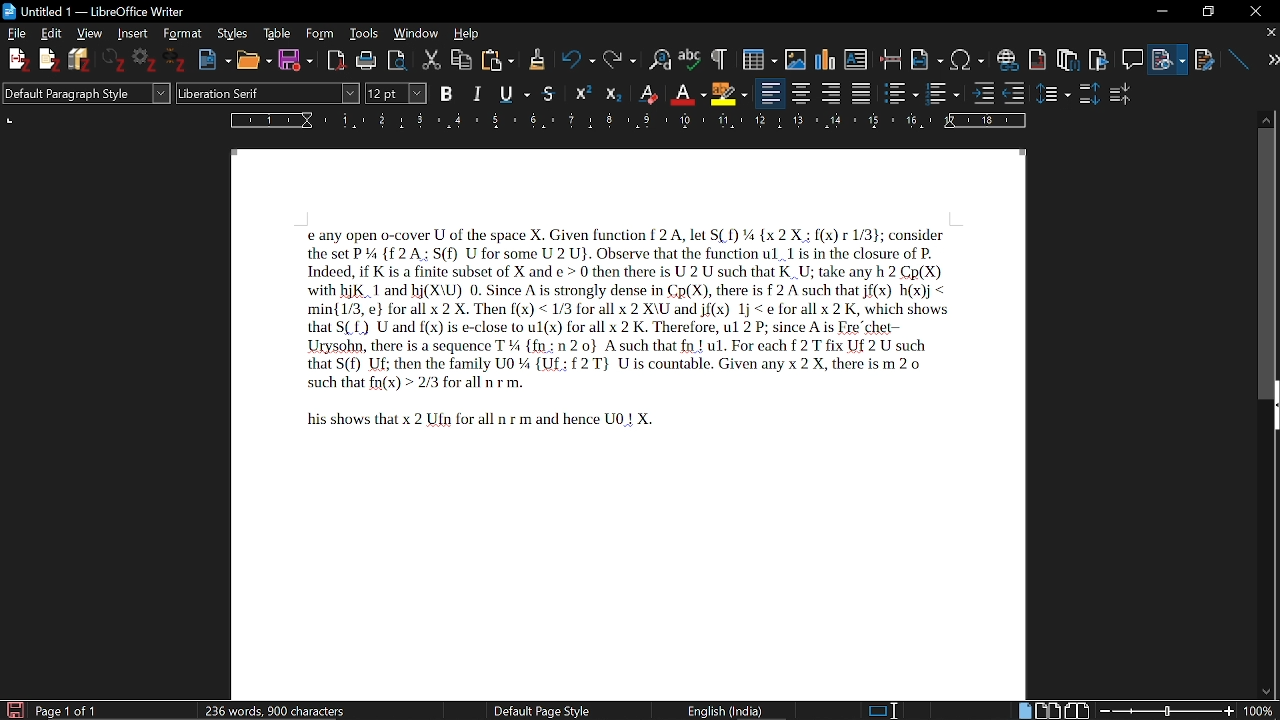  What do you see at coordinates (788, 56) in the screenshot?
I see `Insert Image` at bounding box center [788, 56].